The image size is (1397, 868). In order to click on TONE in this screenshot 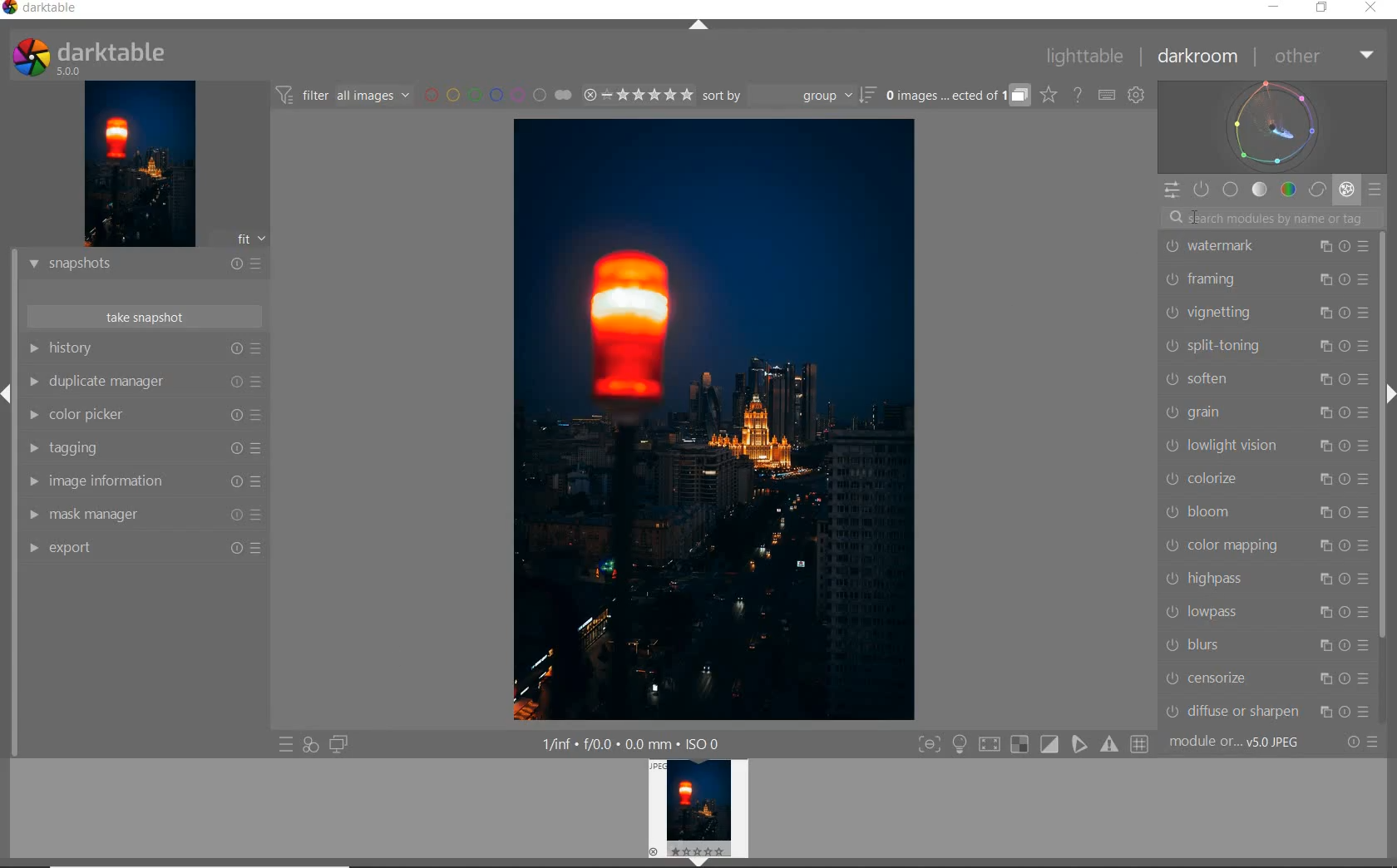, I will do `click(1260, 190)`.